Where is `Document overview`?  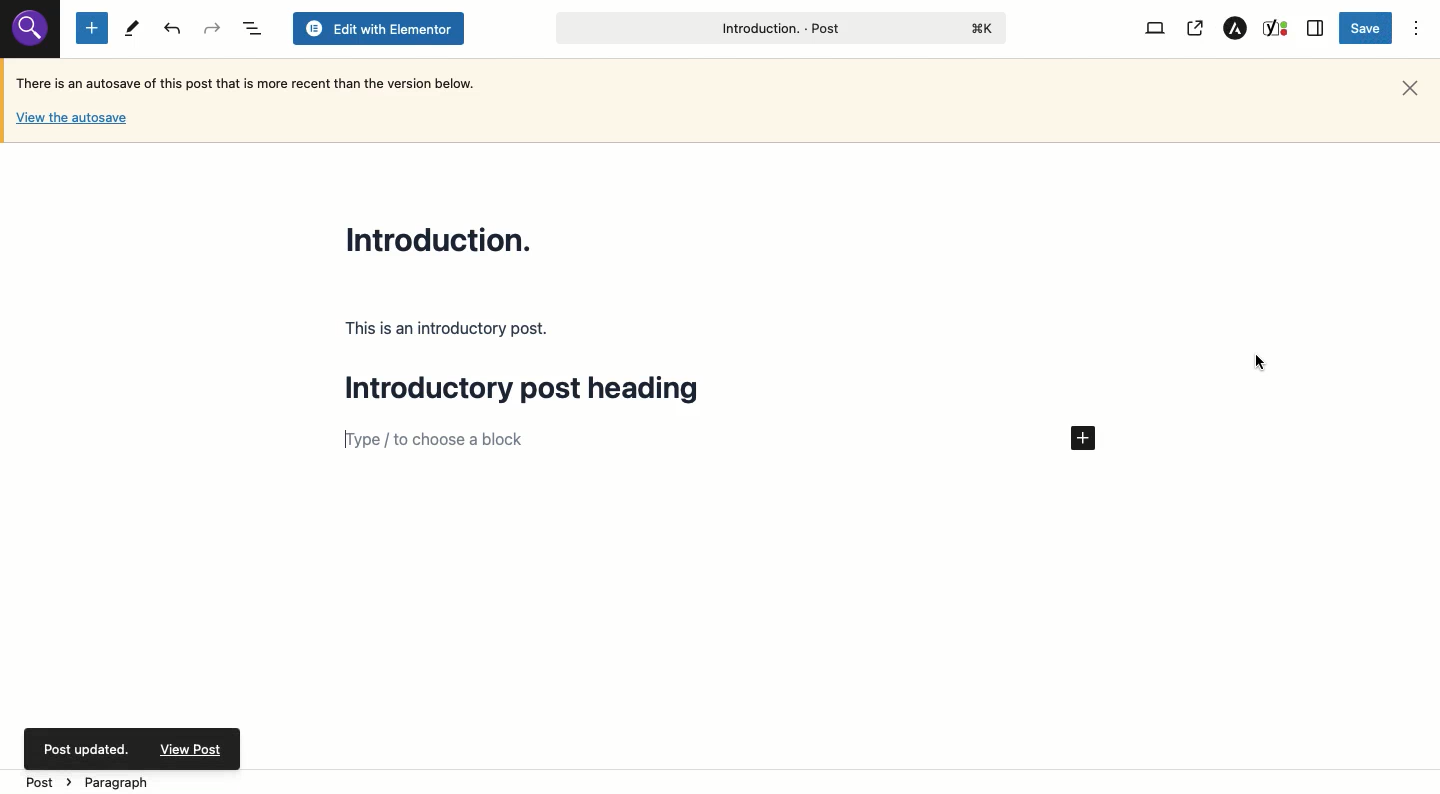
Document overview is located at coordinates (250, 28).